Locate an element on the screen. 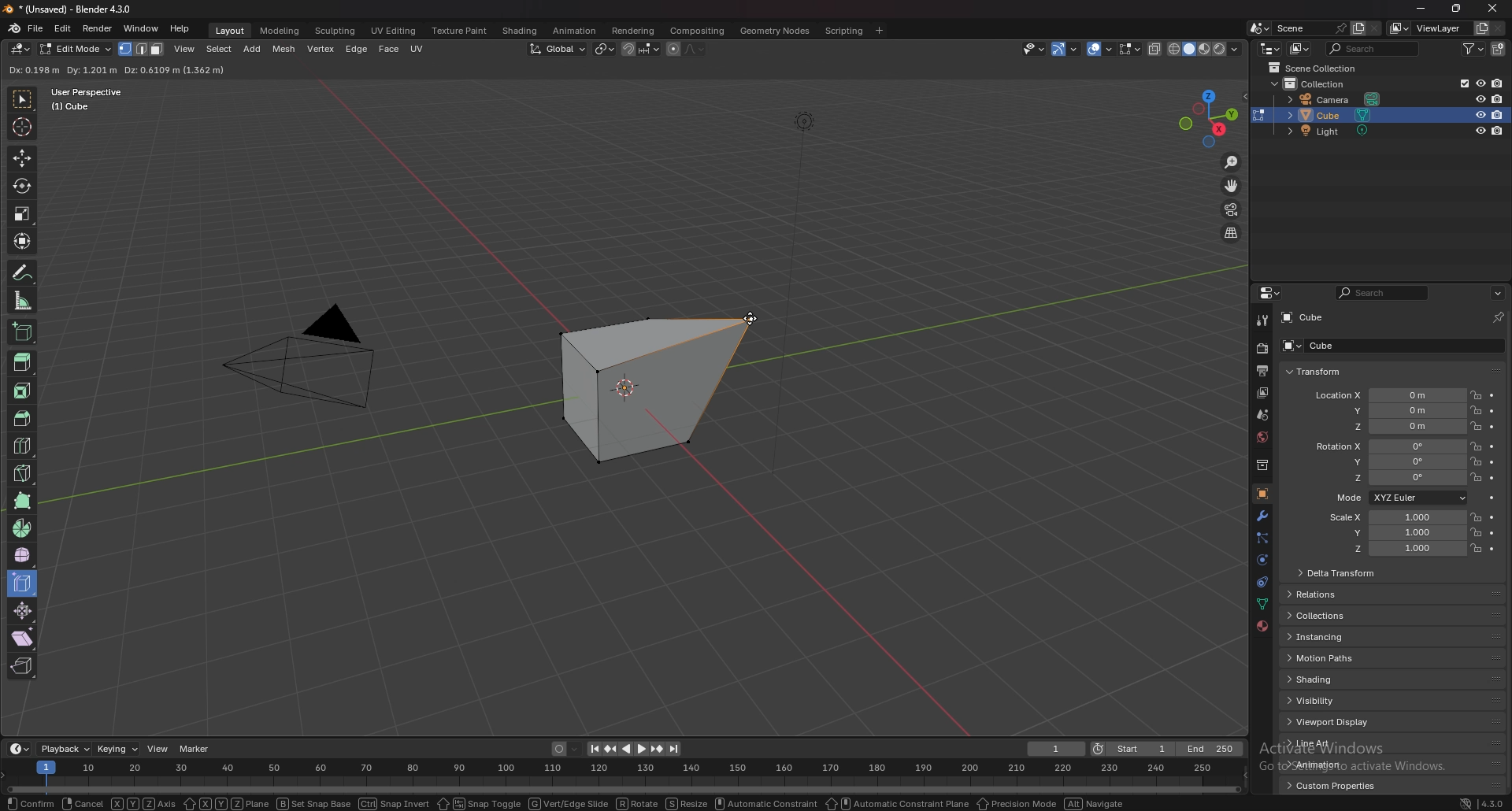 The image size is (1512, 811). location z is located at coordinates (1399, 427).